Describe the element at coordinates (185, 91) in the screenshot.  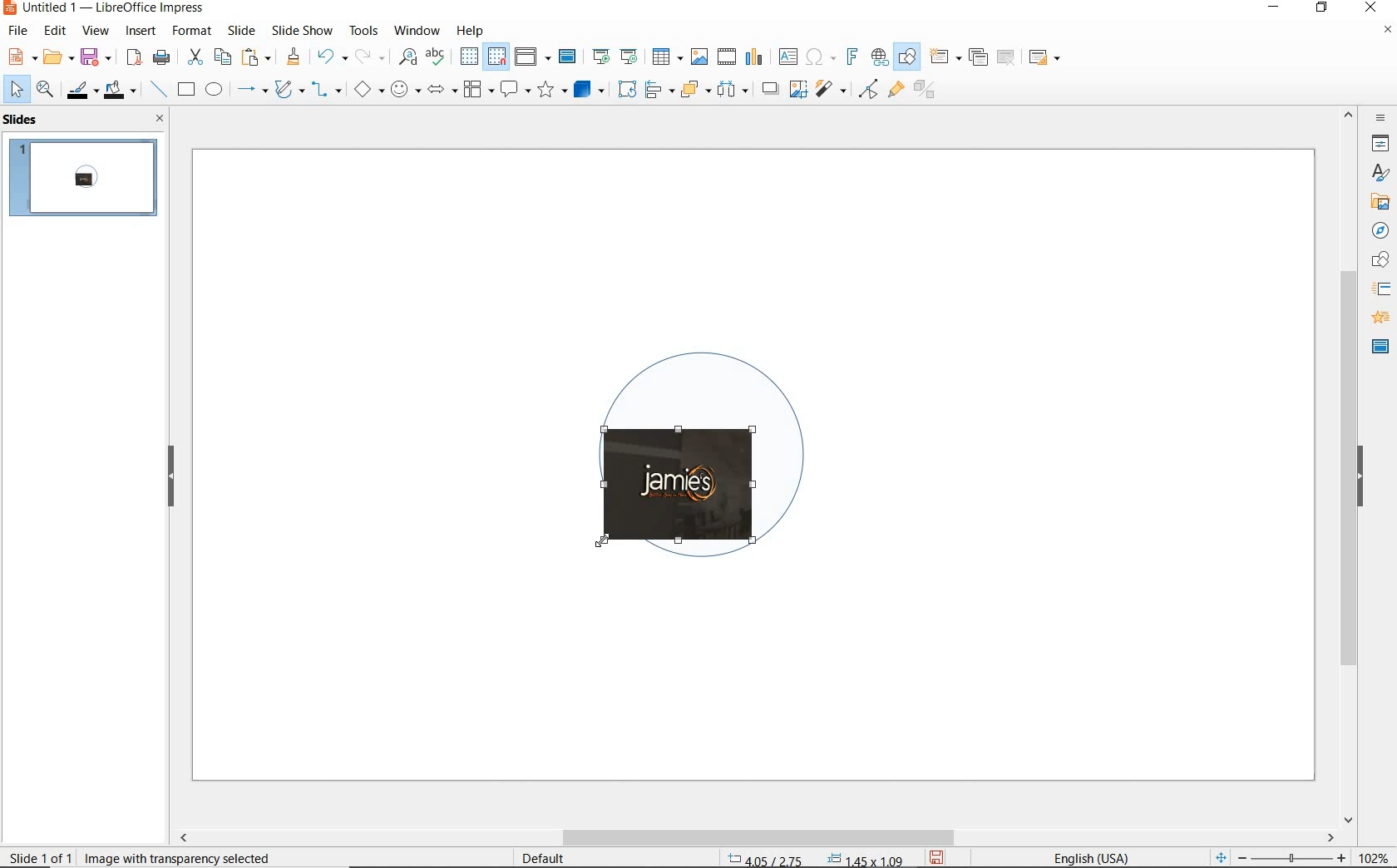
I see `rectangle` at that location.